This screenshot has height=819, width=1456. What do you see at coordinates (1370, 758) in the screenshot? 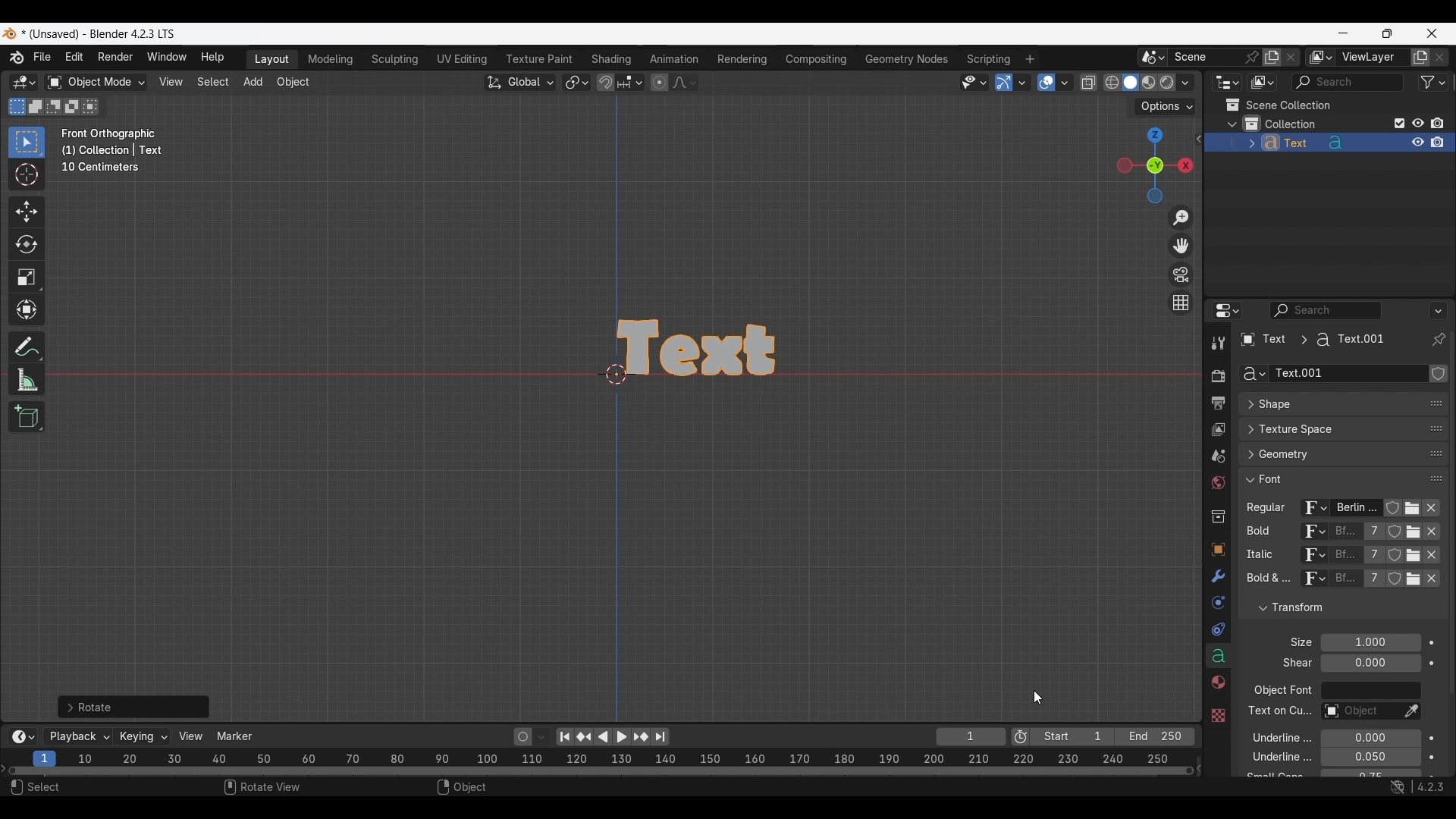
I see `Underline Thickness` at bounding box center [1370, 758].